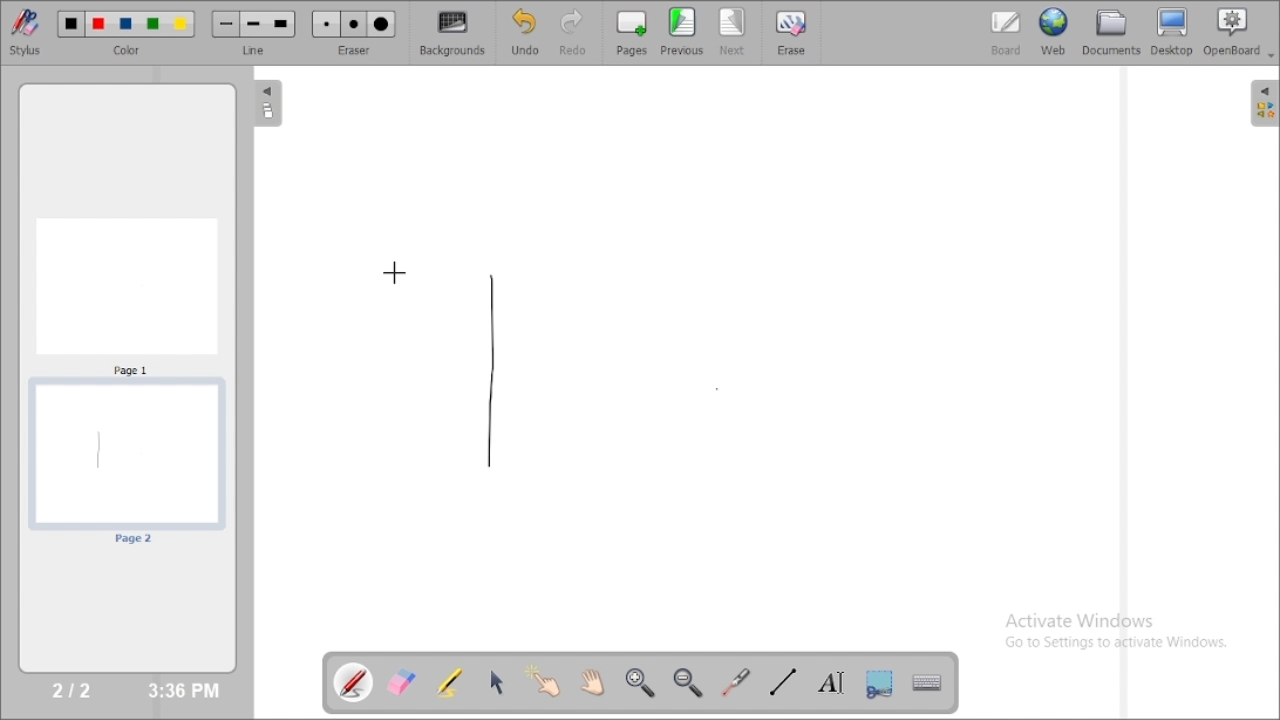  What do you see at coordinates (25, 31) in the screenshot?
I see `stylus` at bounding box center [25, 31].